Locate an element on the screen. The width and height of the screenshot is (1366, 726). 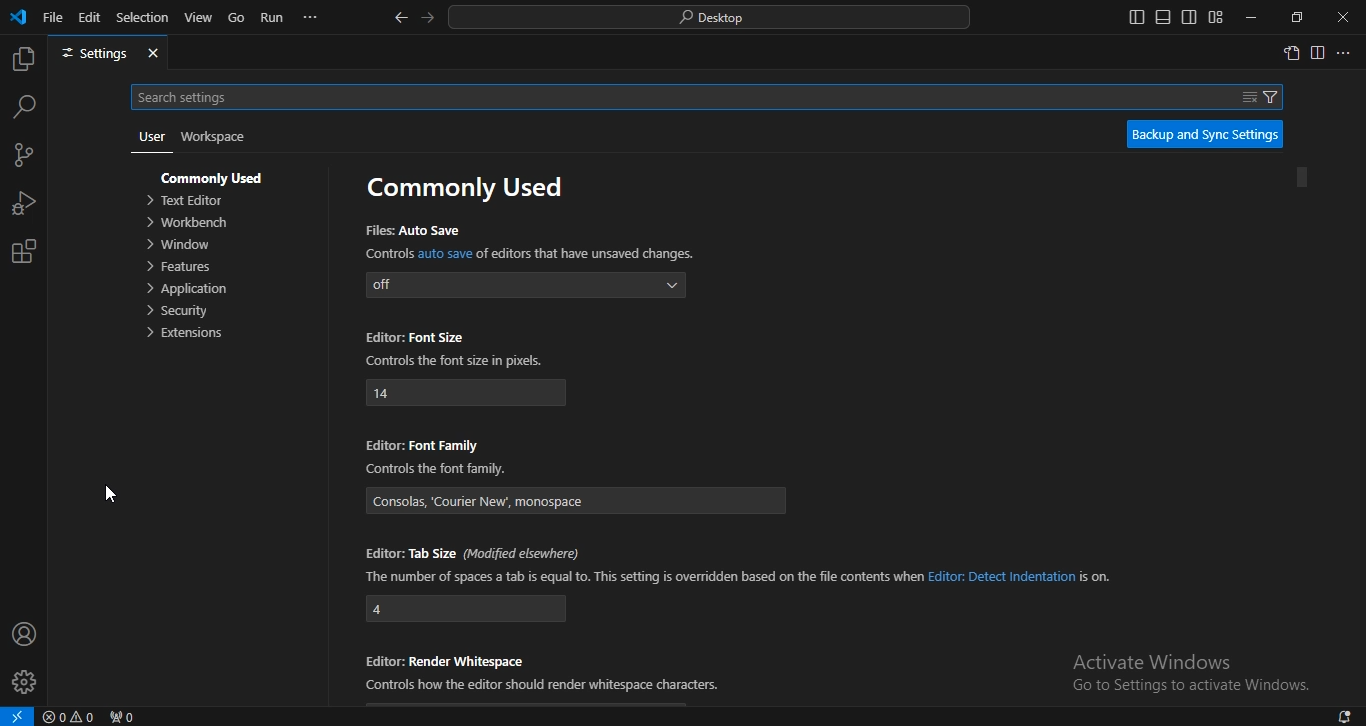
commonly used is located at coordinates (489, 191).